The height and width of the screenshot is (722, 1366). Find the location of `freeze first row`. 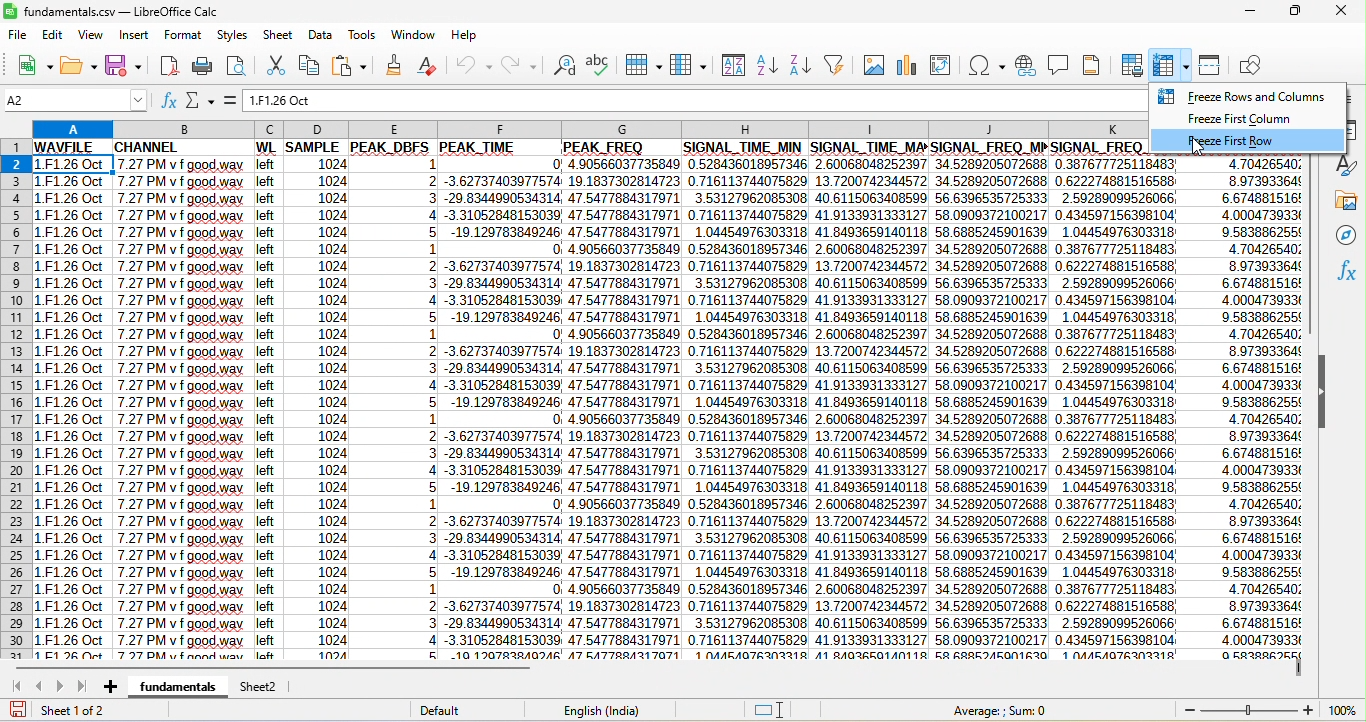

freeze first row is located at coordinates (1227, 140).